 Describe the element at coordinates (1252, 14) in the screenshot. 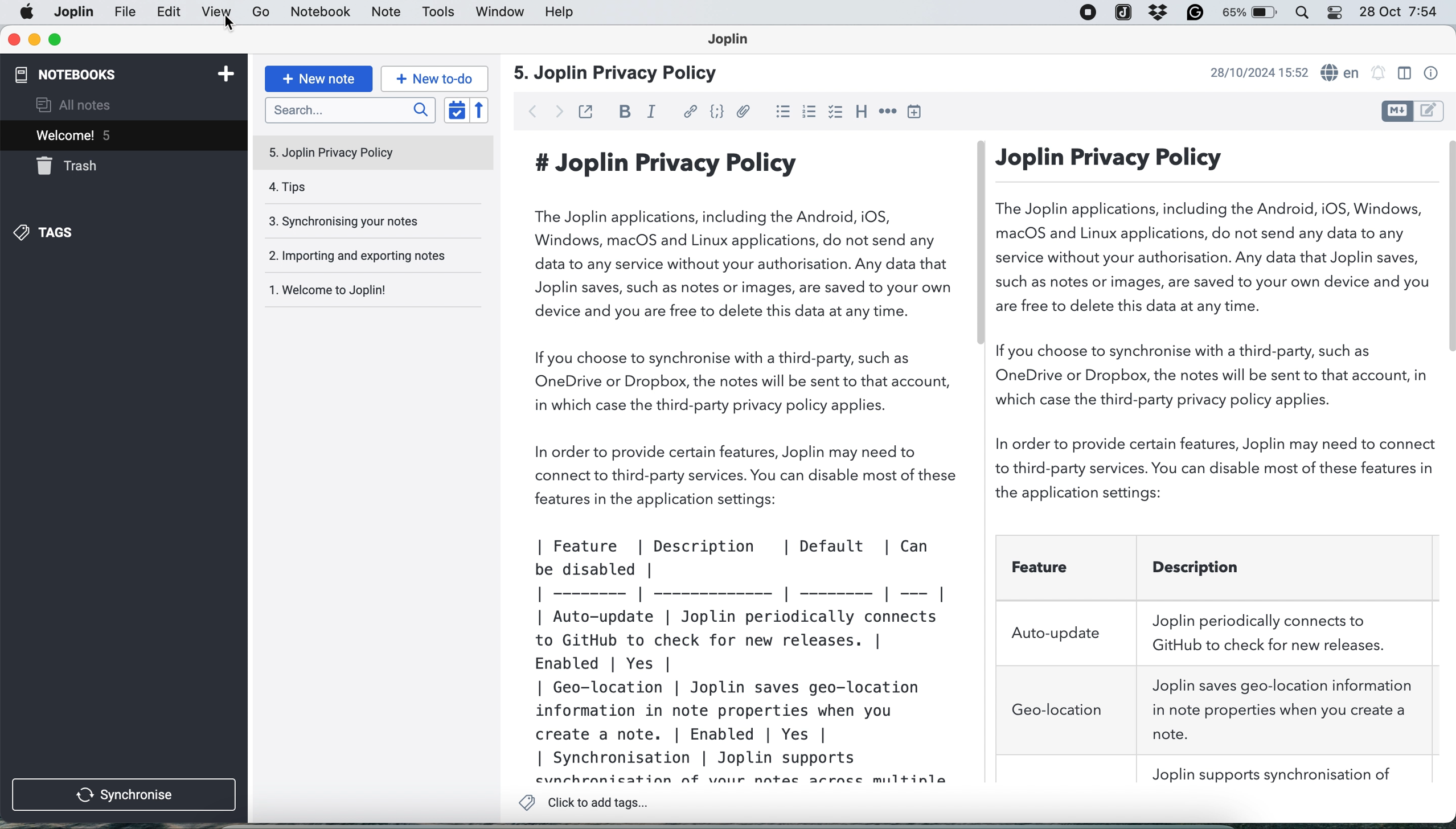

I see `battery` at that location.